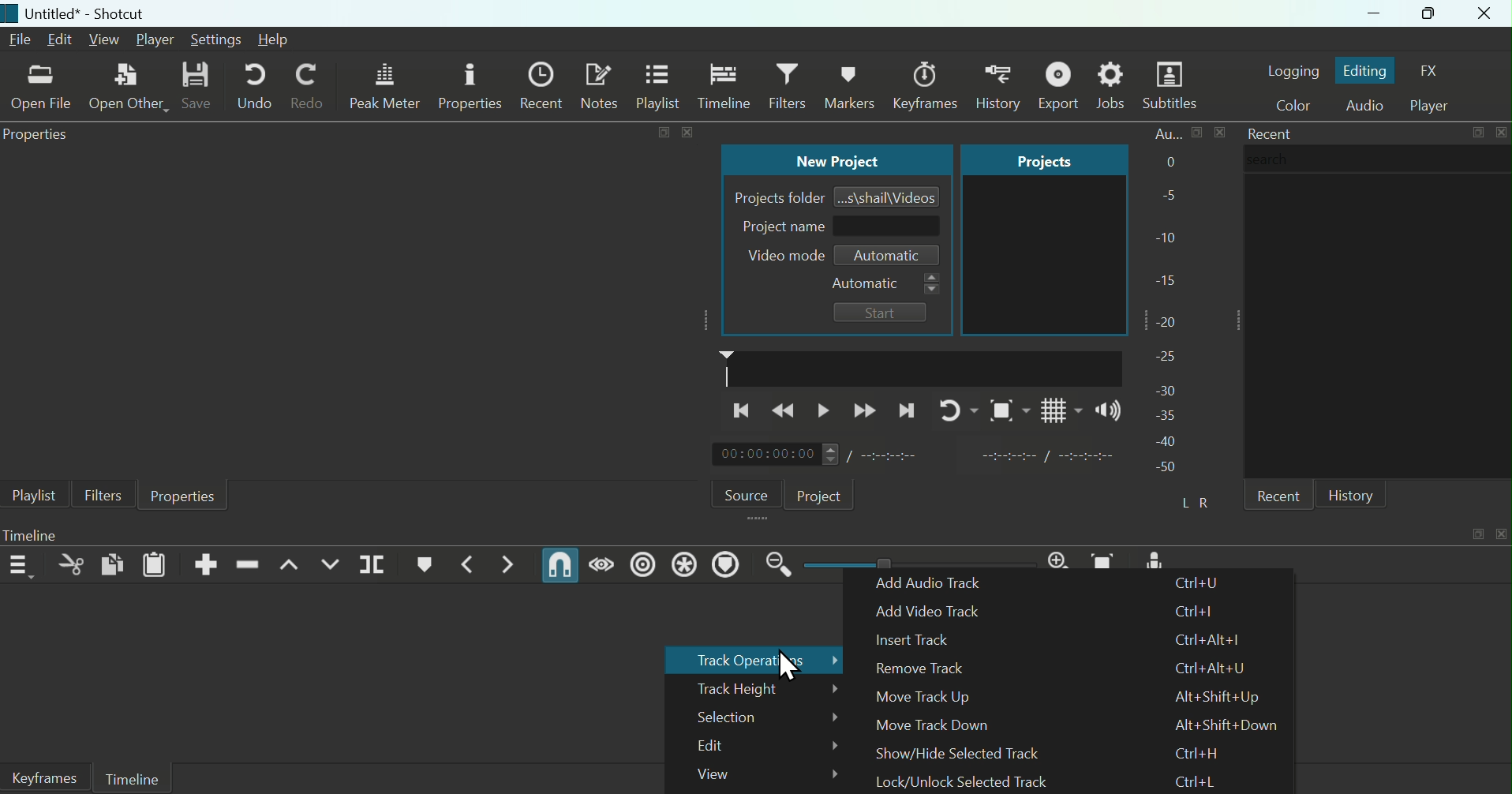 The height and width of the screenshot is (794, 1512). Describe the element at coordinates (184, 496) in the screenshot. I see `Properties` at that location.